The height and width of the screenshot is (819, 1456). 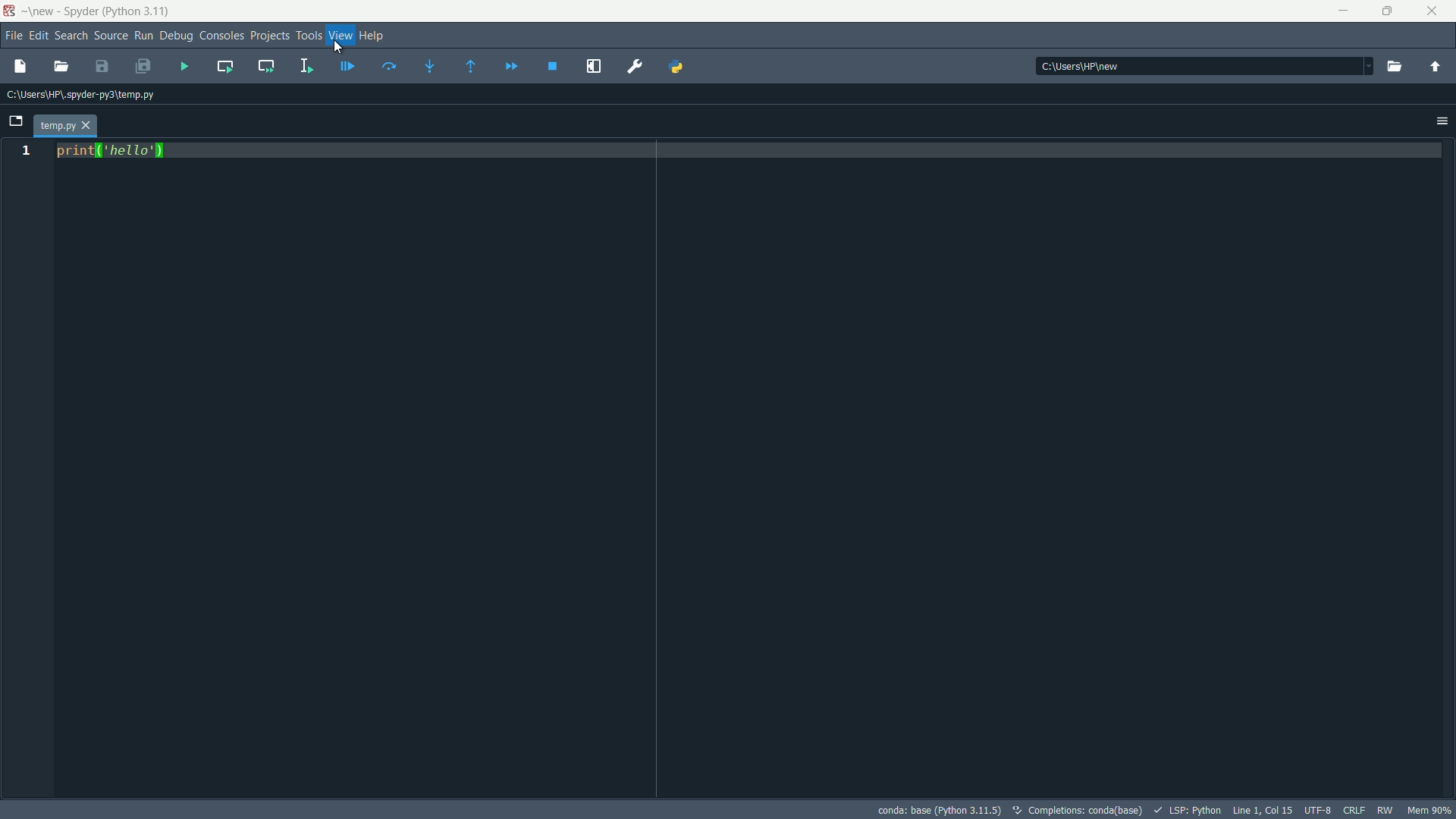 What do you see at coordinates (143, 36) in the screenshot?
I see `run menu` at bounding box center [143, 36].